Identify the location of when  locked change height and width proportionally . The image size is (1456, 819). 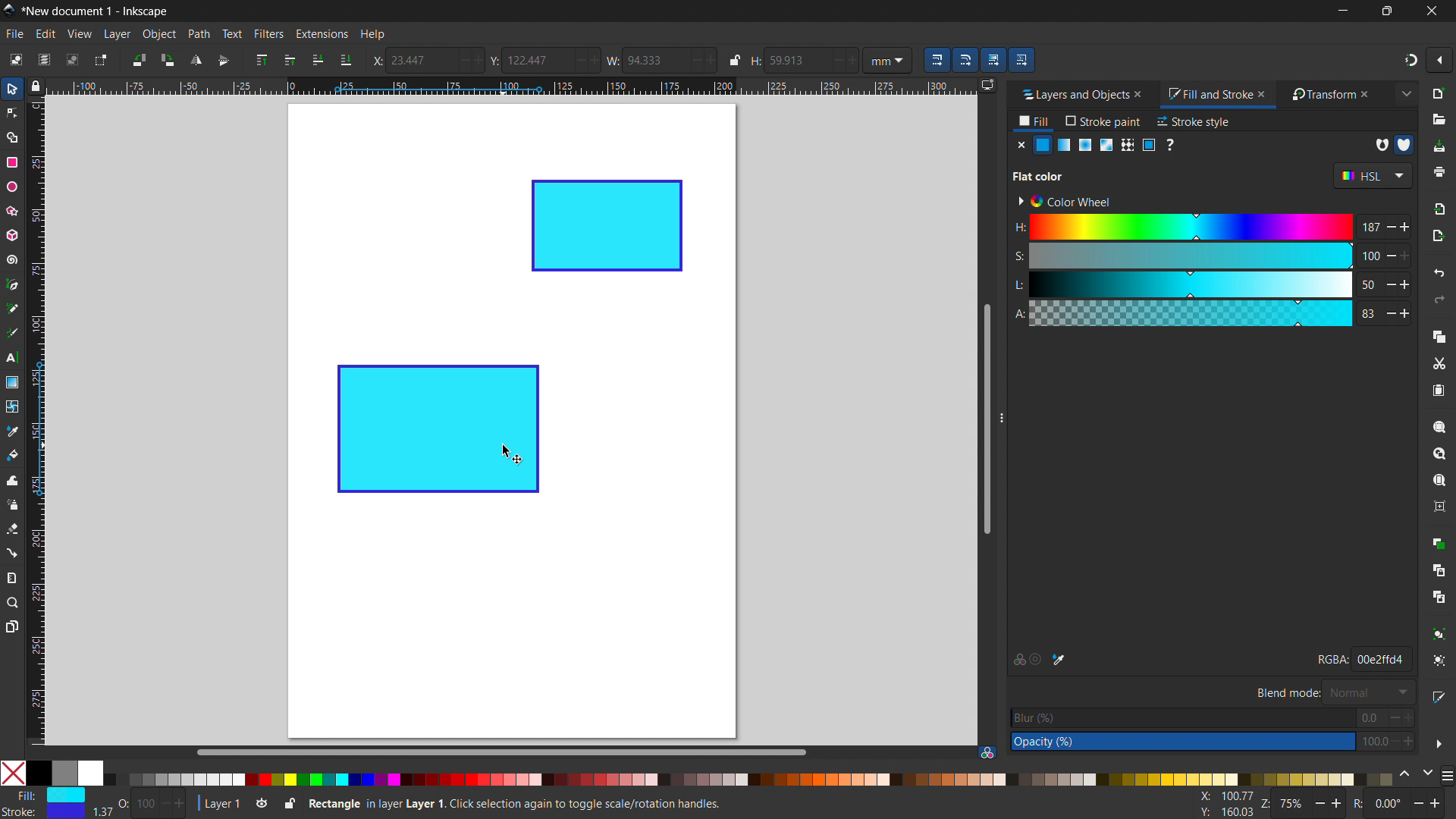
(735, 60).